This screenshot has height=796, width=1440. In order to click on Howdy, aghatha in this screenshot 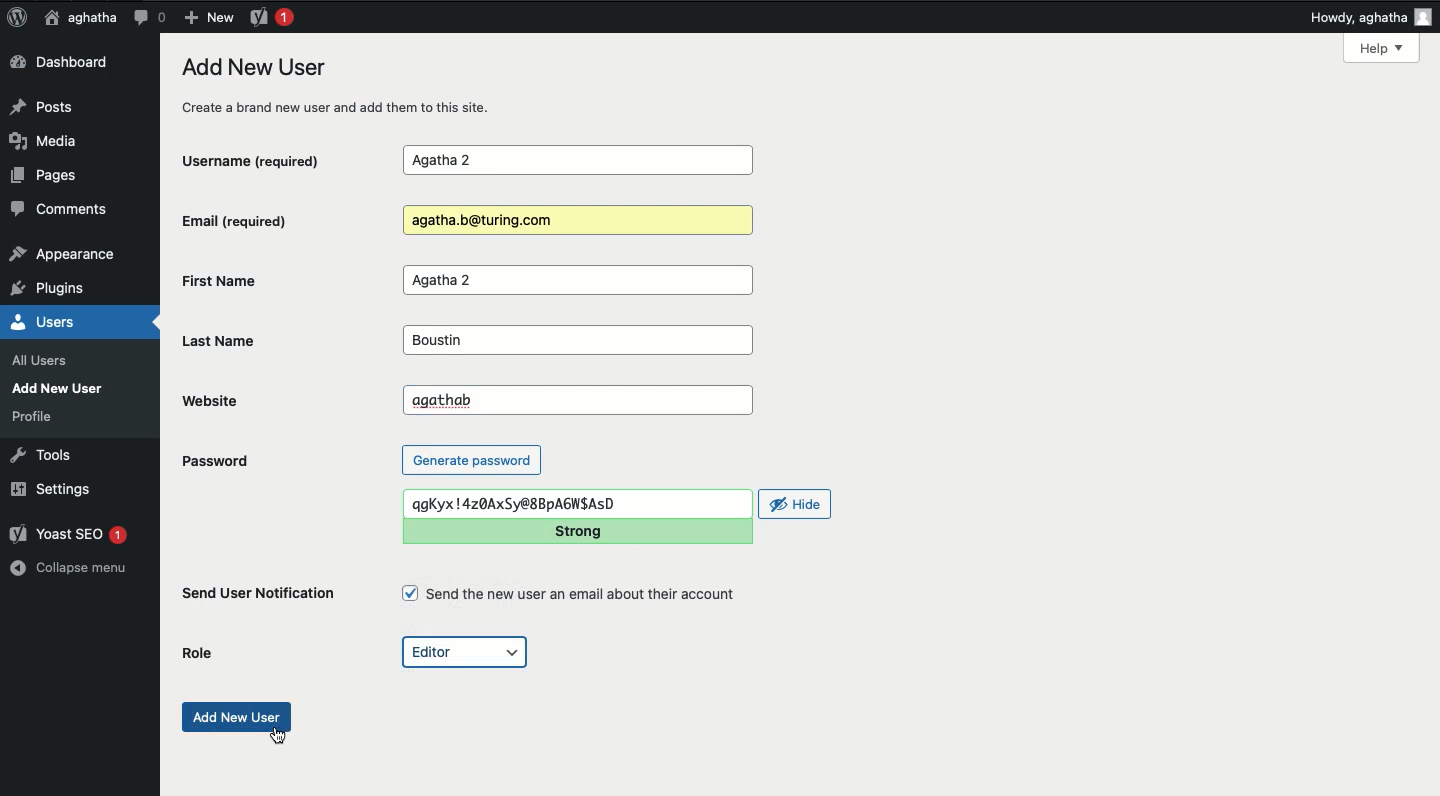, I will do `click(1371, 17)`.